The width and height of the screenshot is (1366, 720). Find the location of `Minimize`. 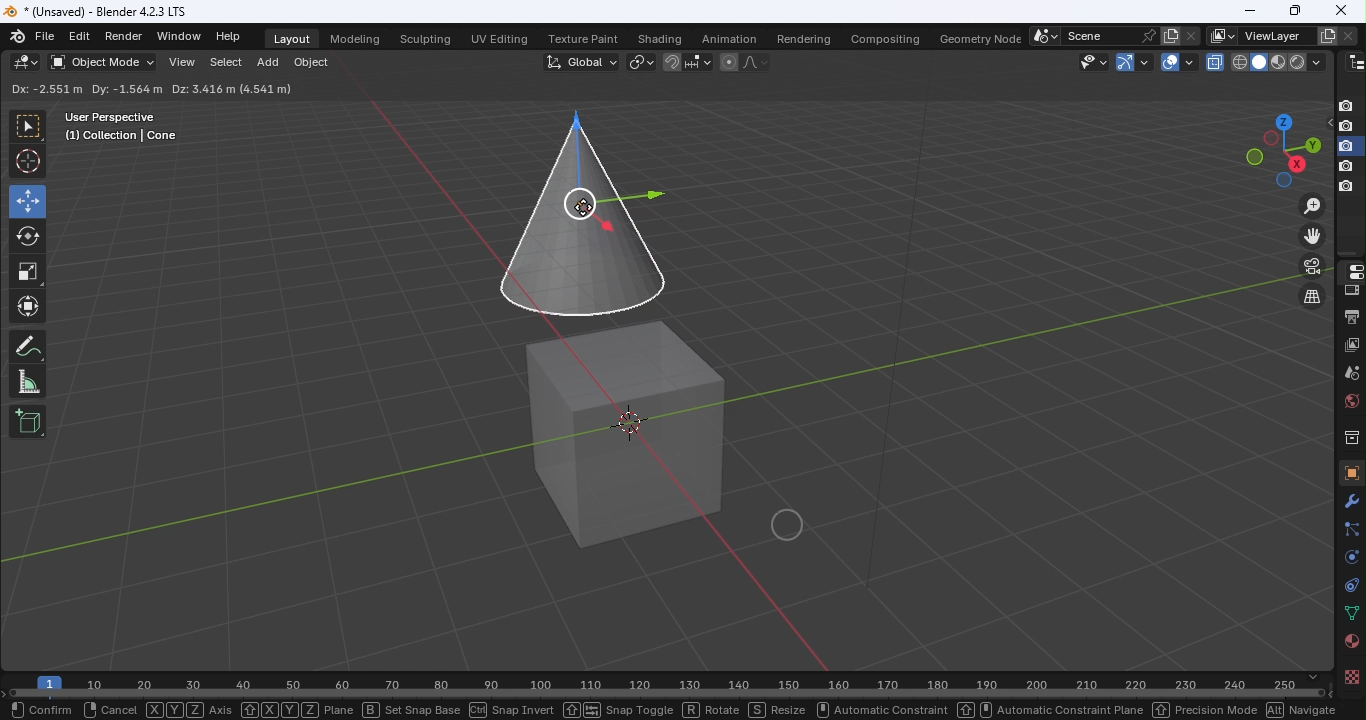

Minimize is located at coordinates (1249, 10).